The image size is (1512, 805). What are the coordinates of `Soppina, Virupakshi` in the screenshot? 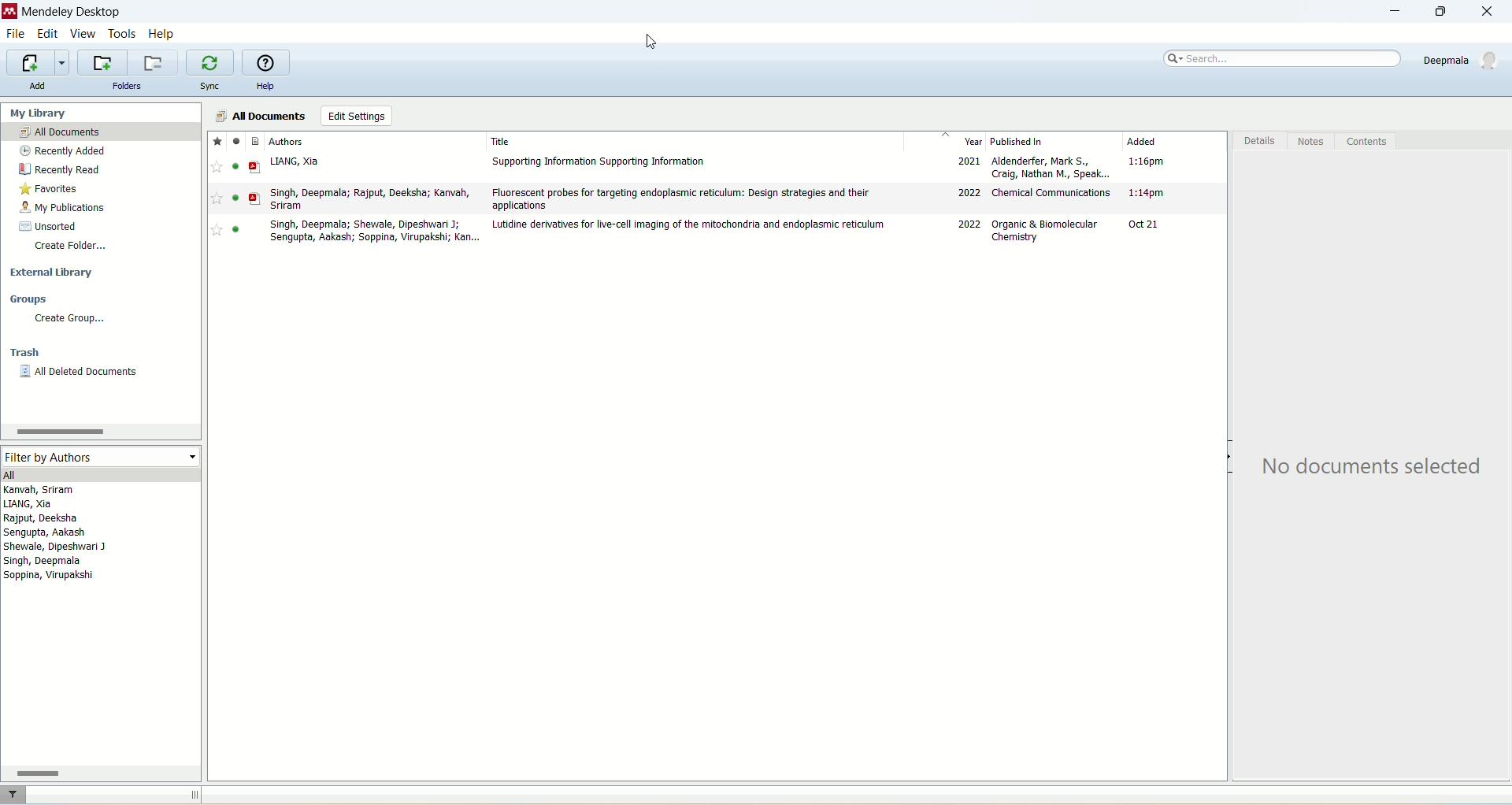 It's located at (48, 576).